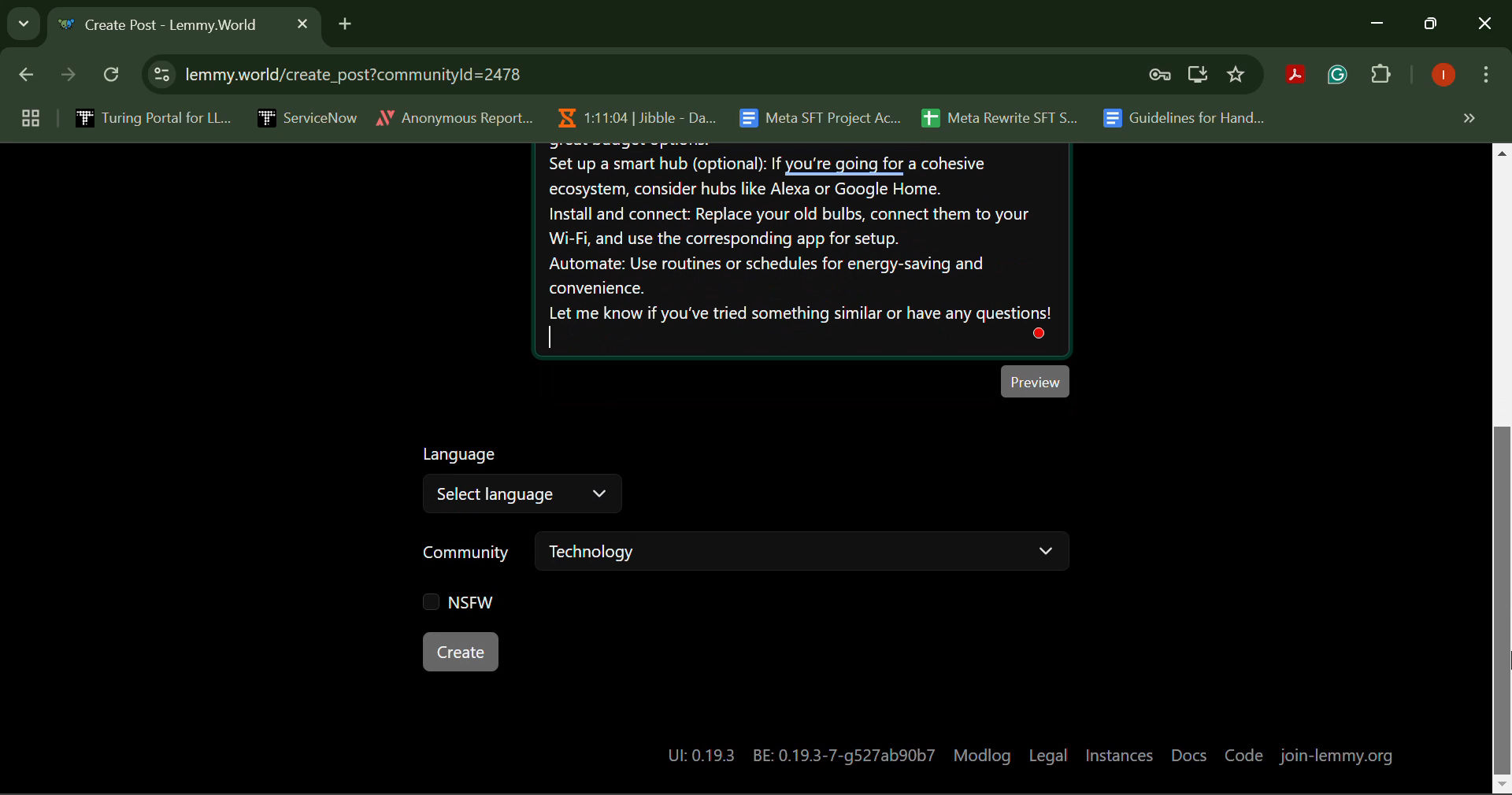 This screenshot has height=795, width=1512. What do you see at coordinates (742, 553) in the screenshot?
I see `Community Selector Bar` at bounding box center [742, 553].